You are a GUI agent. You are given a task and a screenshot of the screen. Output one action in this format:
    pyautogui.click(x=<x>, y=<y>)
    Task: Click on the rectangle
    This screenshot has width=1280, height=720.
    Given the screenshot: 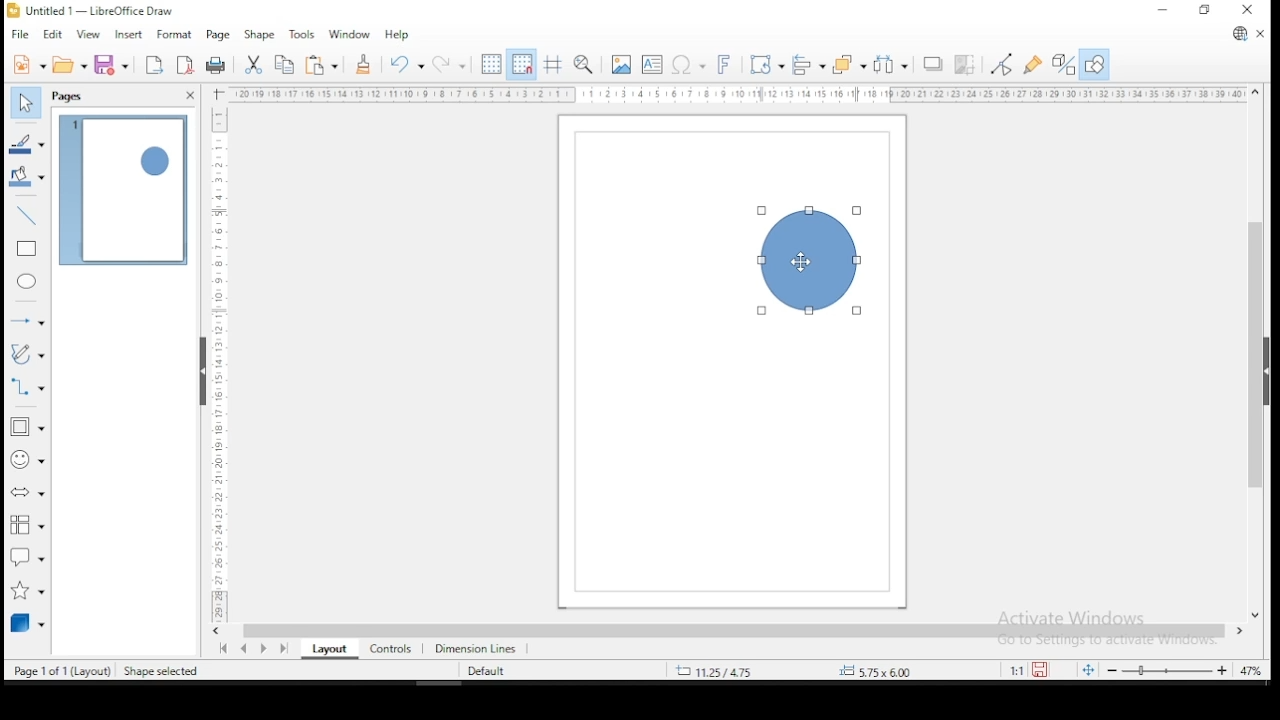 What is the action you would take?
    pyautogui.click(x=28, y=249)
    